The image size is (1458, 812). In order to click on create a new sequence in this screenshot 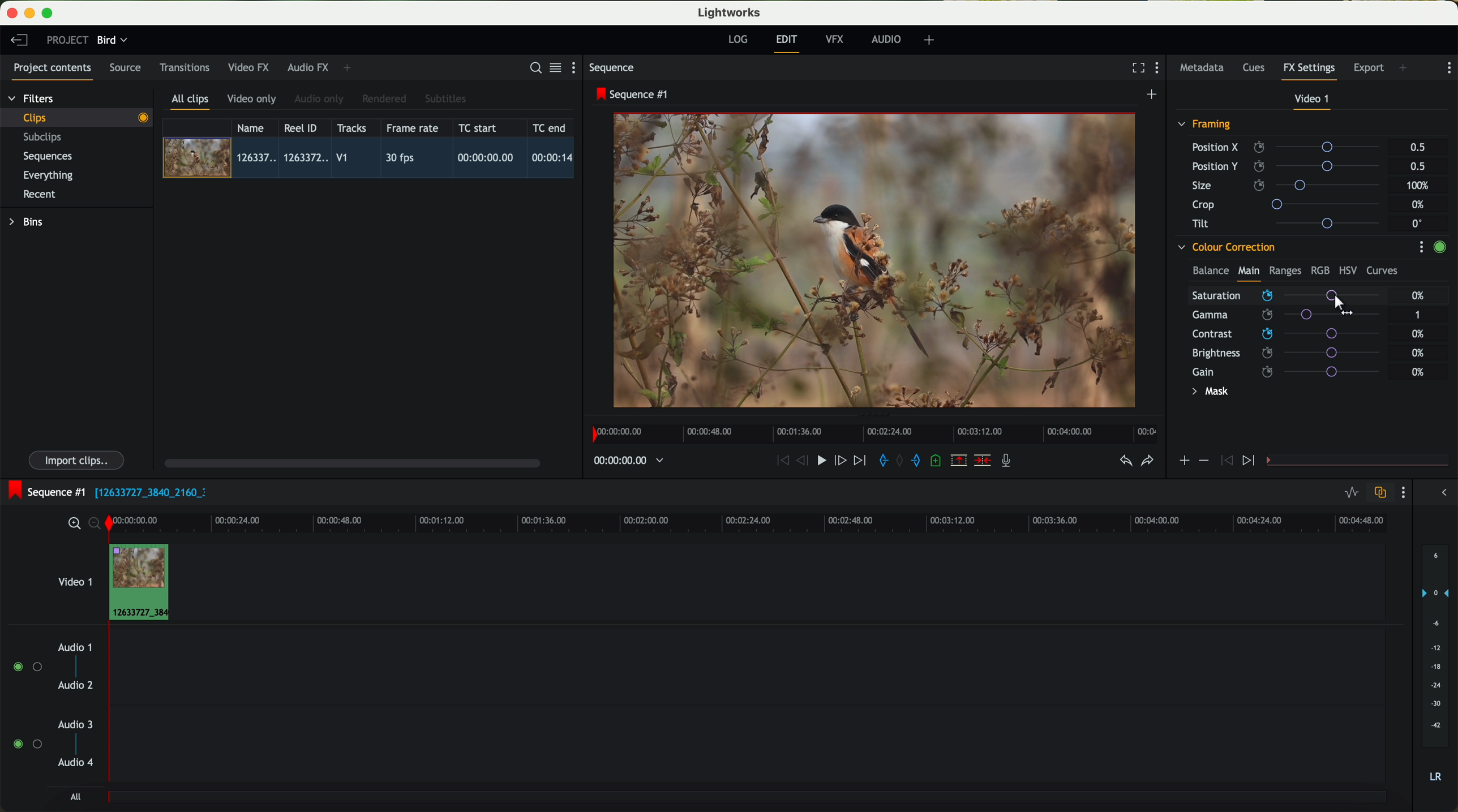, I will do `click(1153, 95)`.